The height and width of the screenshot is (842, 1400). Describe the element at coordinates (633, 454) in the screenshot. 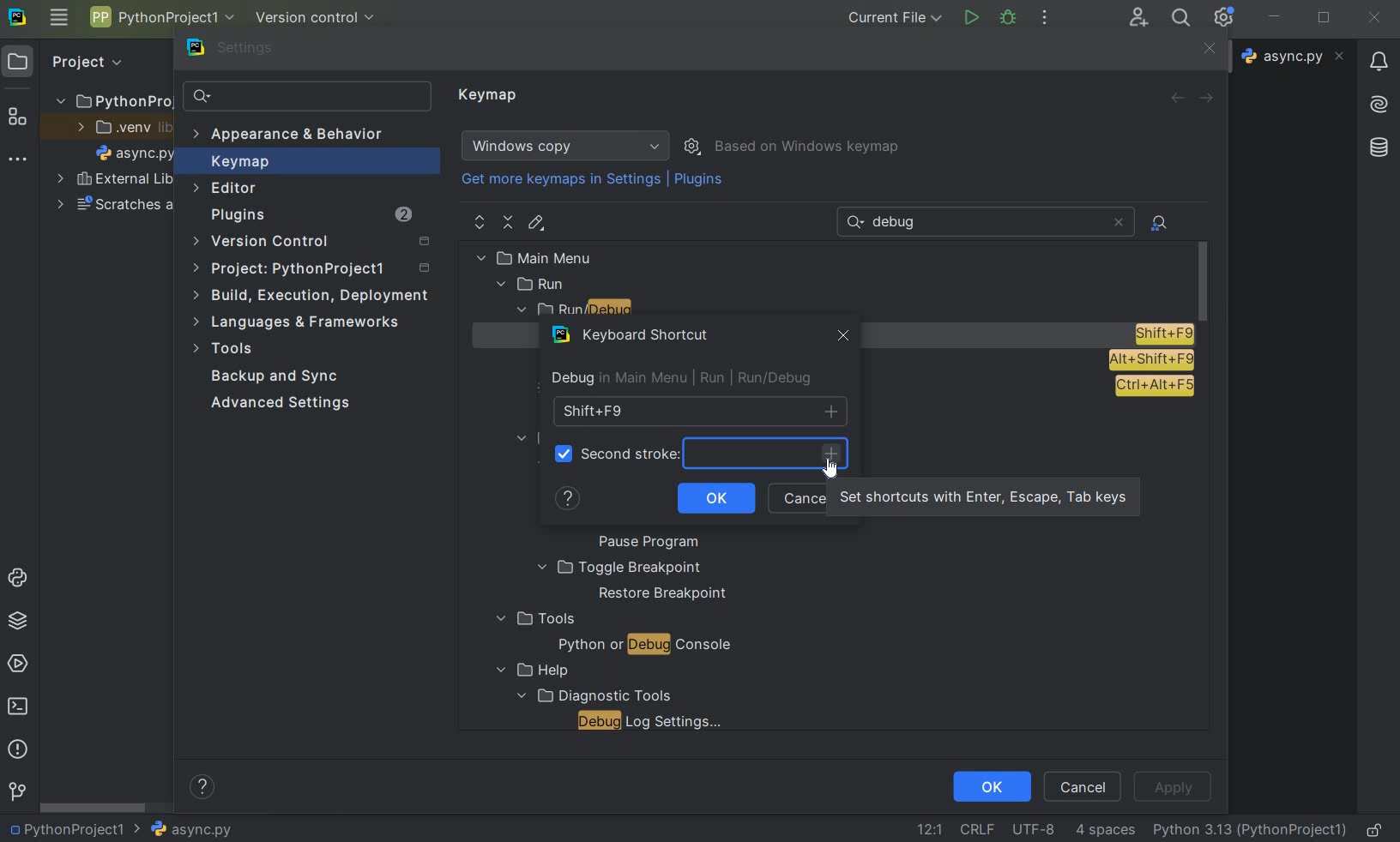

I see `Second stroke:` at that location.